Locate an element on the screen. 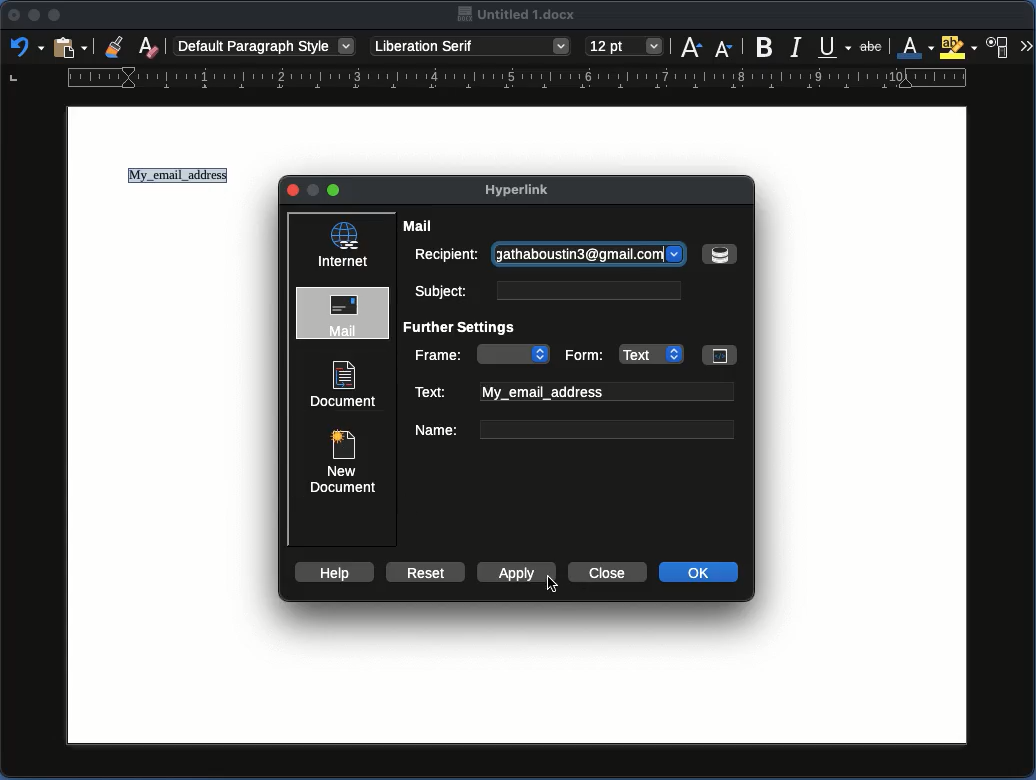  More is located at coordinates (1026, 44).